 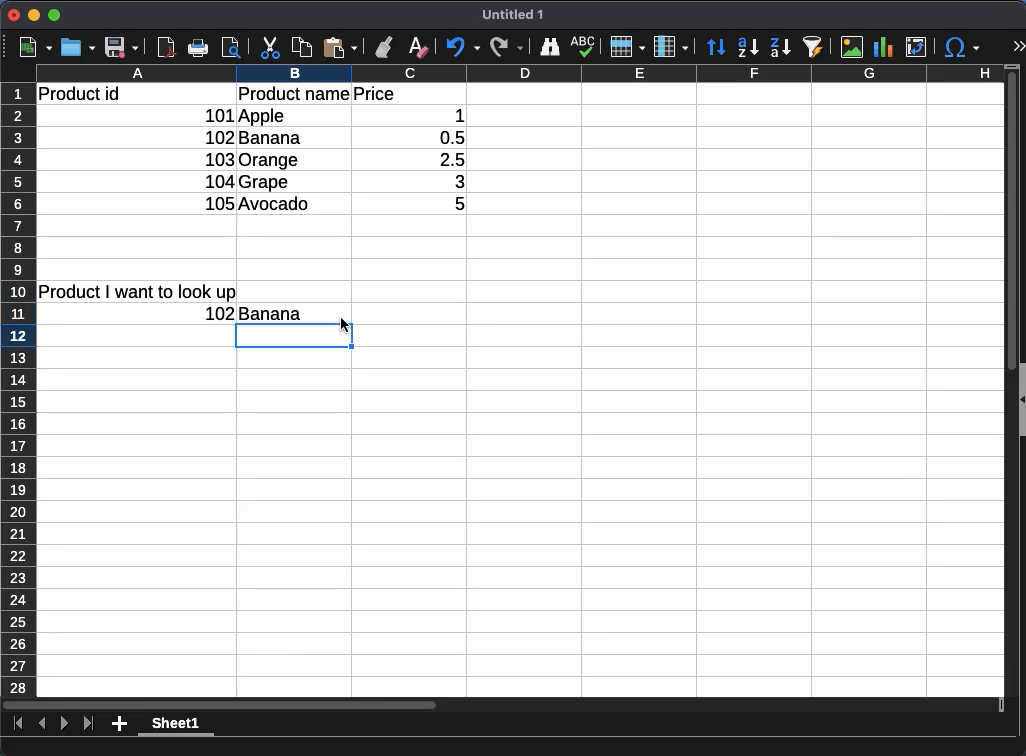 What do you see at coordinates (420, 48) in the screenshot?
I see `clear formatting` at bounding box center [420, 48].